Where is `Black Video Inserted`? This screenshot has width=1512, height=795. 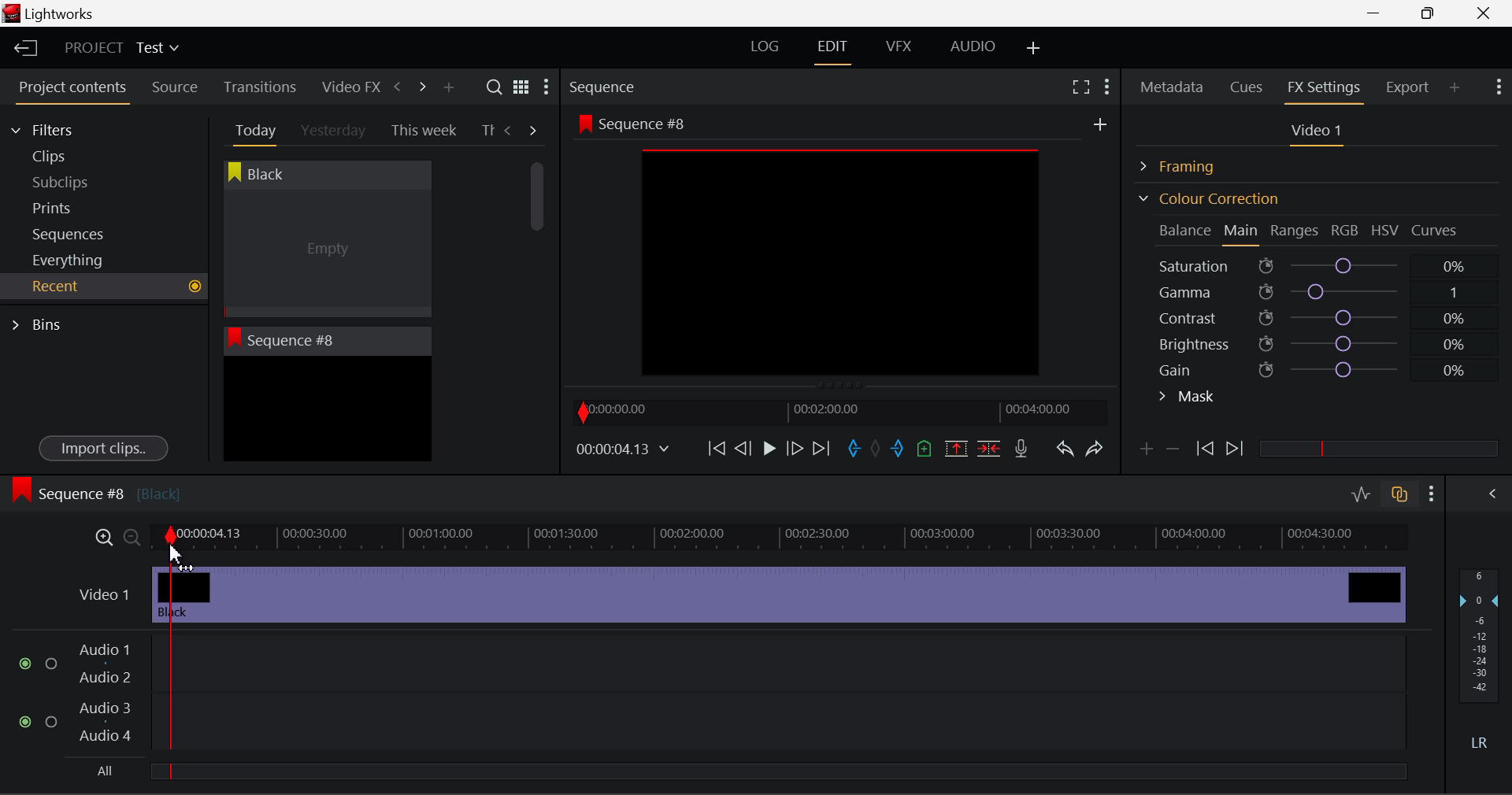 Black Video Inserted is located at coordinates (779, 593).